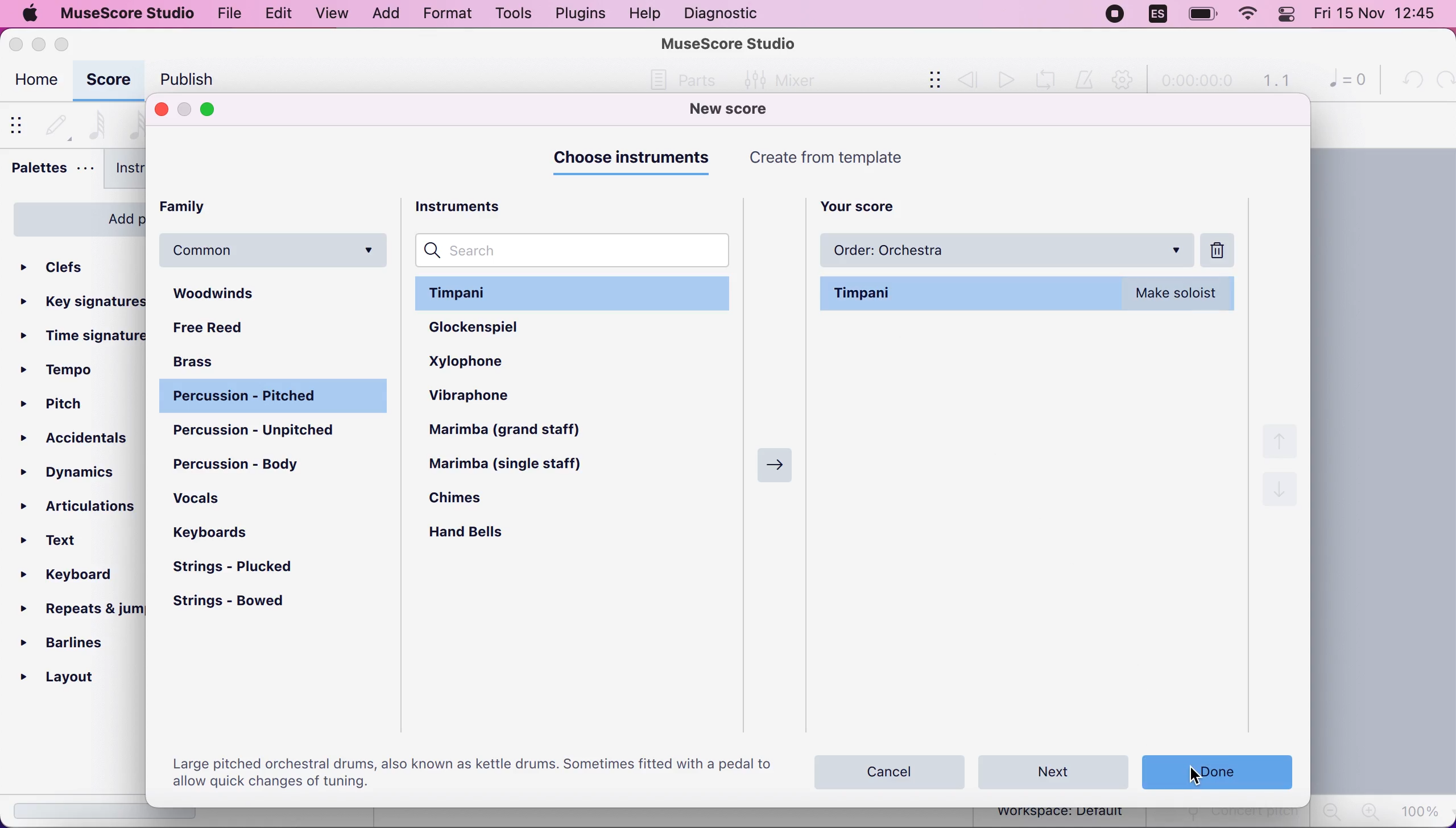 Image resolution: width=1456 pixels, height=828 pixels. I want to click on Right, so click(771, 462).